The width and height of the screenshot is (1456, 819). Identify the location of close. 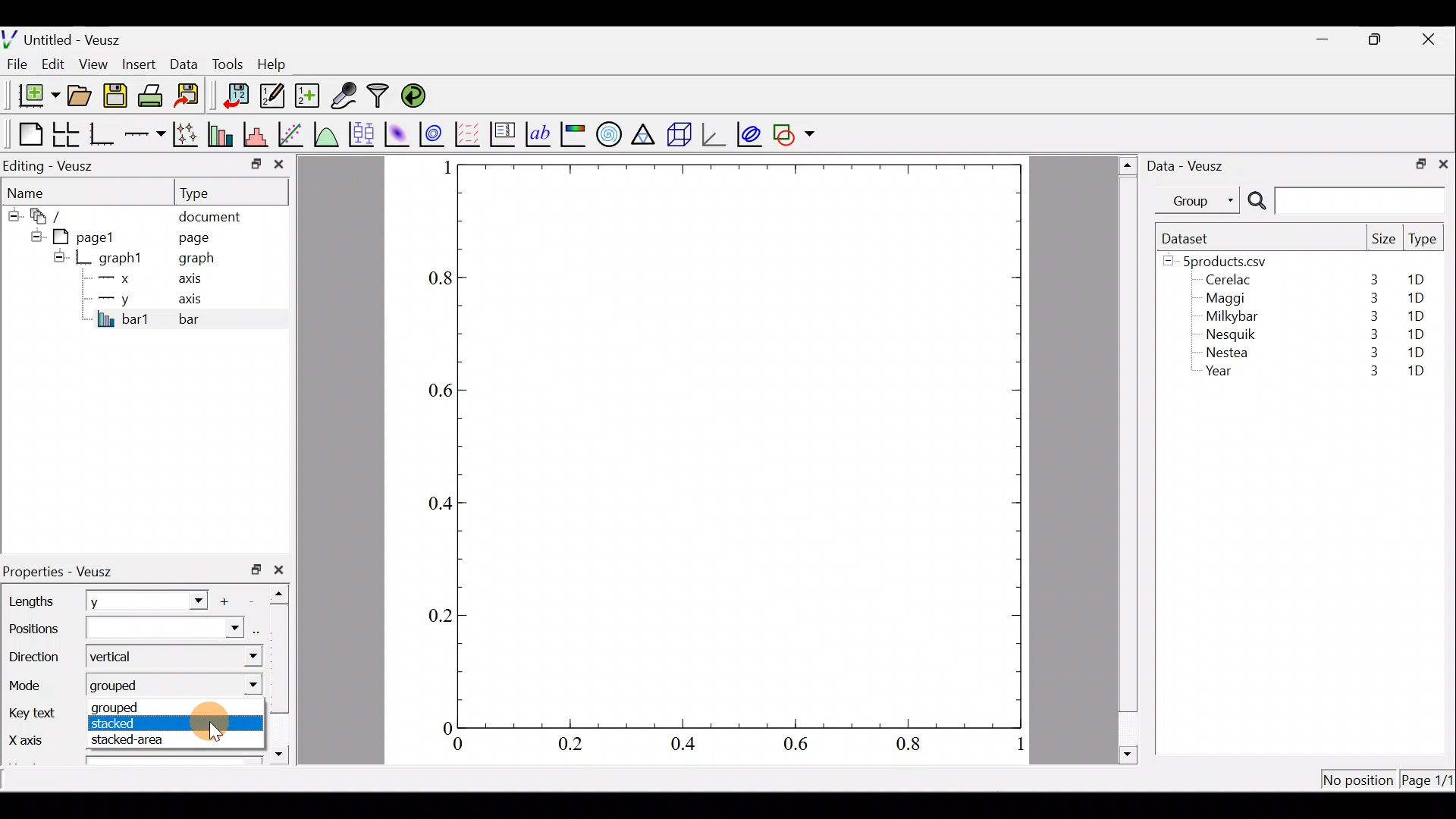
(279, 168).